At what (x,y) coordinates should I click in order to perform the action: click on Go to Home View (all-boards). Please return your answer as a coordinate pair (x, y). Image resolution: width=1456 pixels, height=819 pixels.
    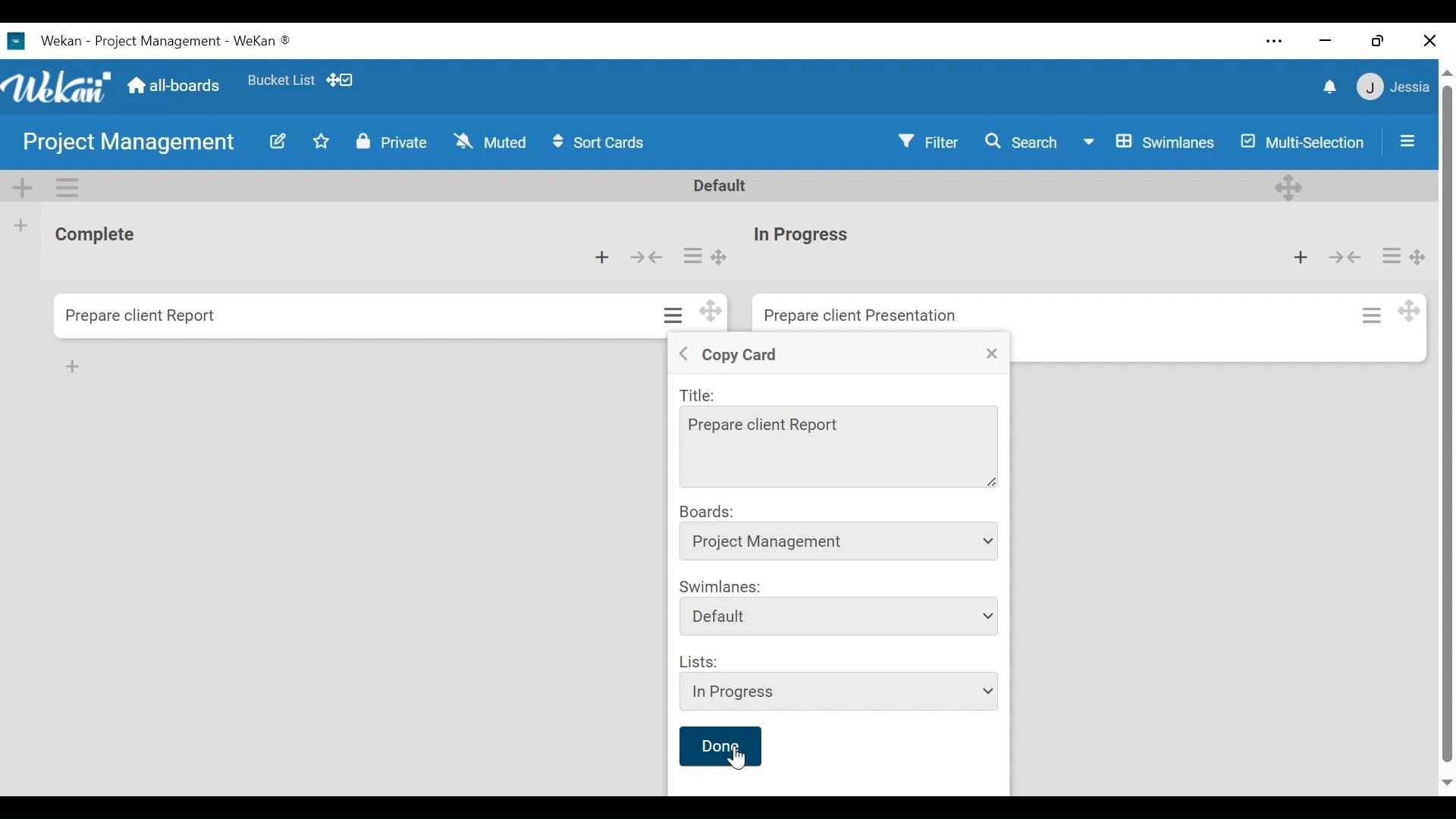
    Looking at the image, I should click on (171, 86).